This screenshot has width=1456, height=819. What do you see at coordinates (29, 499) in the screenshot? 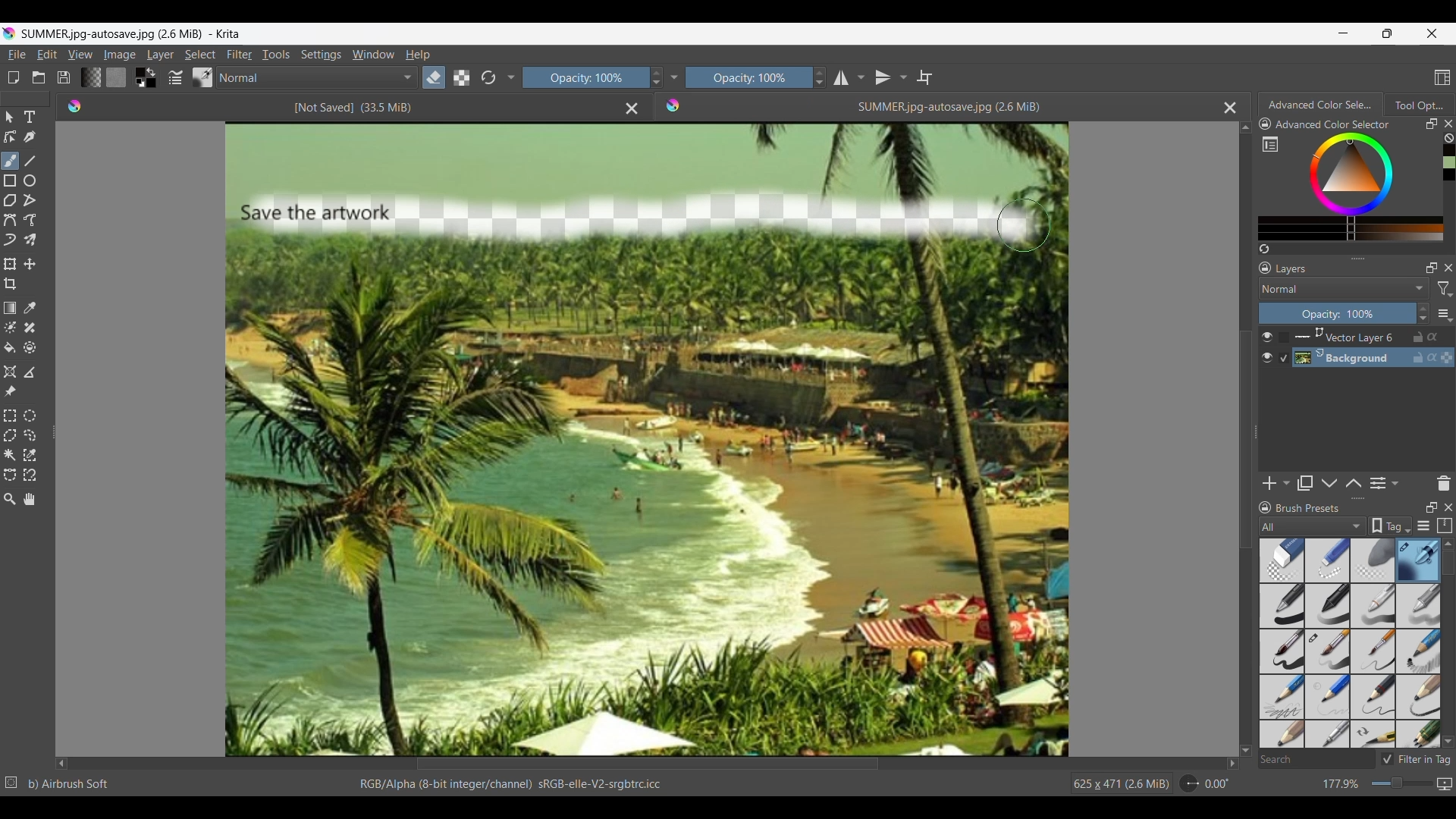
I see `Pan tool` at bounding box center [29, 499].